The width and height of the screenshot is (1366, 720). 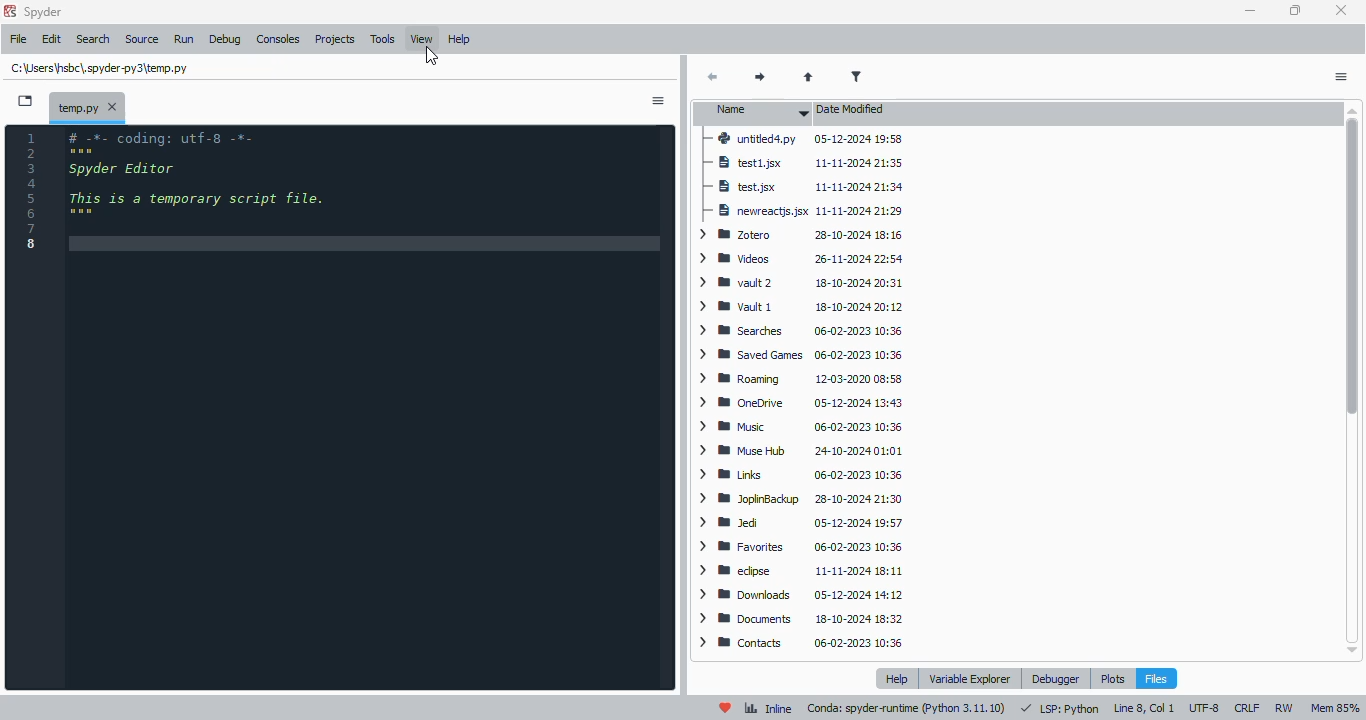 I want to click on vault 2, so click(x=801, y=281).